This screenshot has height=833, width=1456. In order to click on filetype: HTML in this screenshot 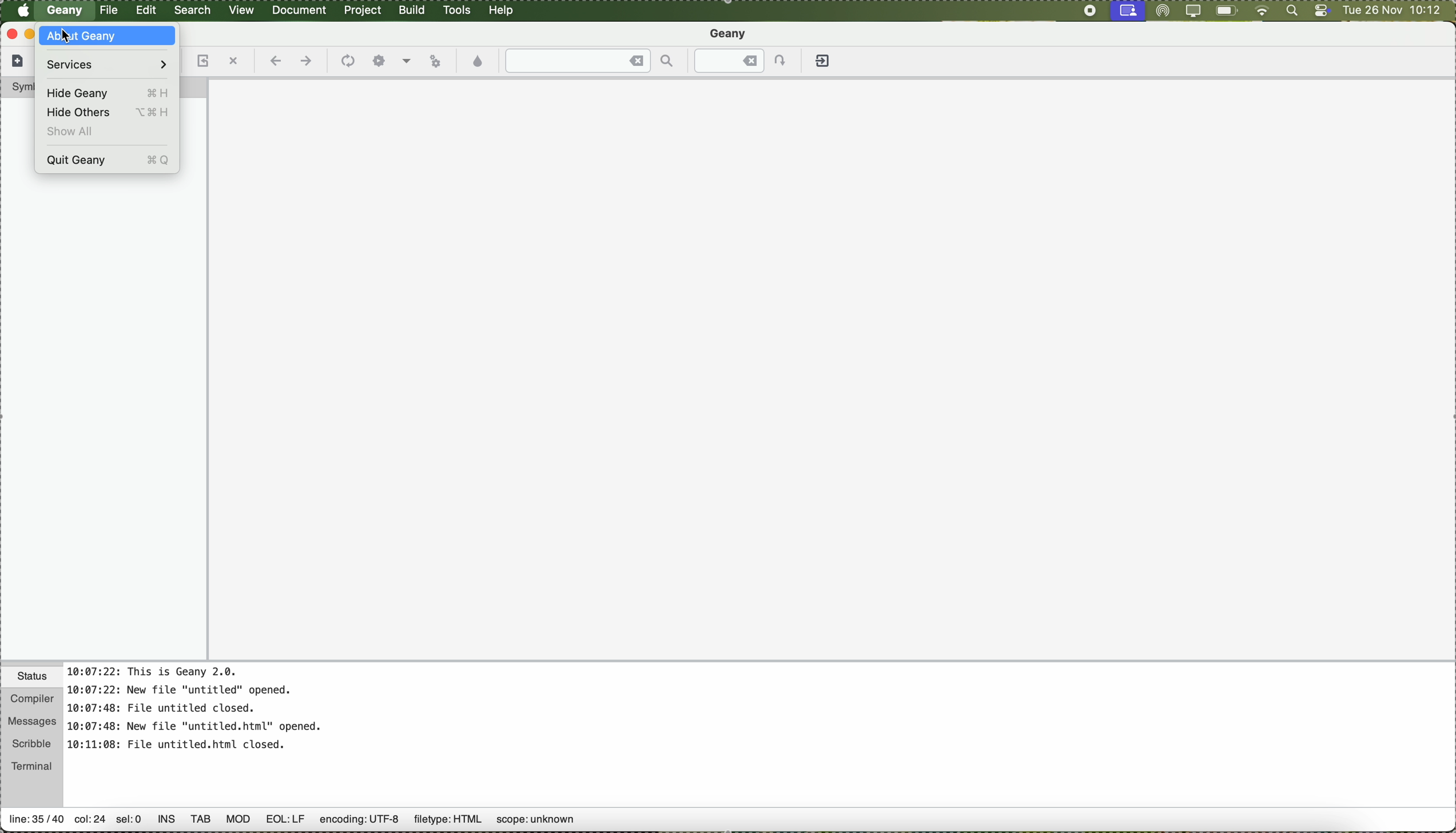, I will do `click(447, 820)`.